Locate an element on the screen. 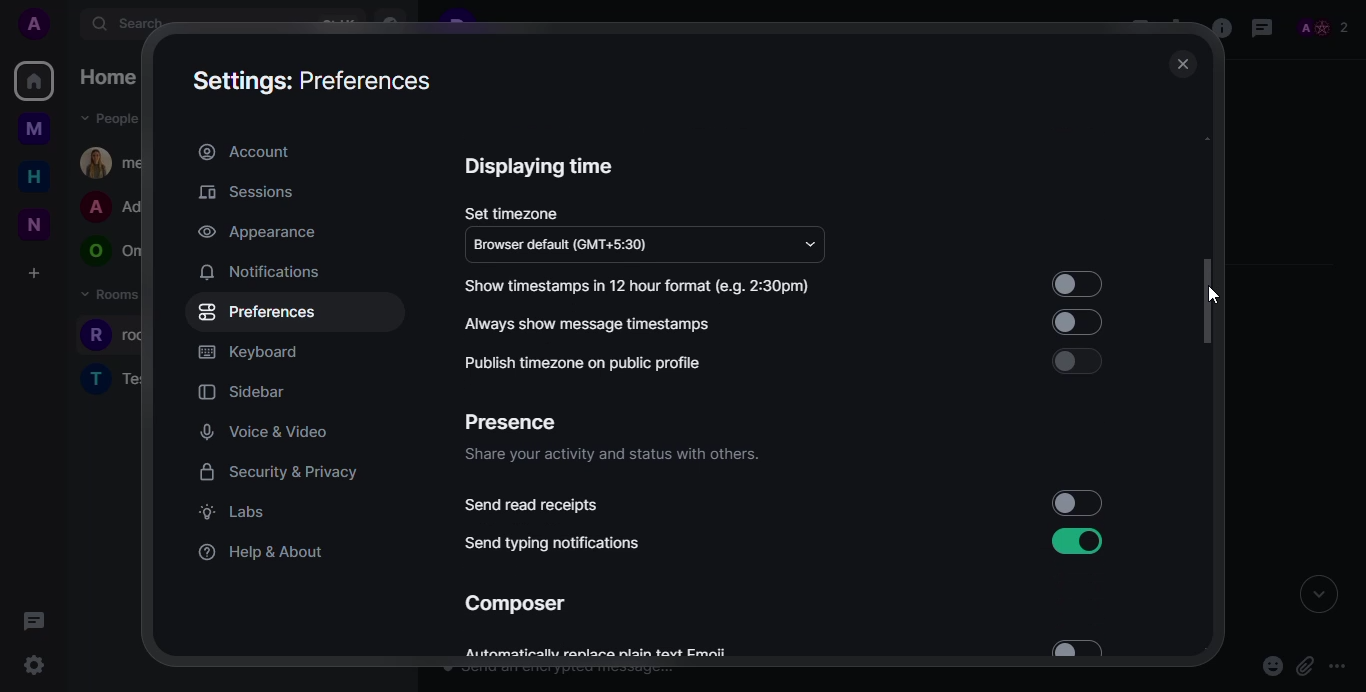  create a space is located at coordinates (33, 272).